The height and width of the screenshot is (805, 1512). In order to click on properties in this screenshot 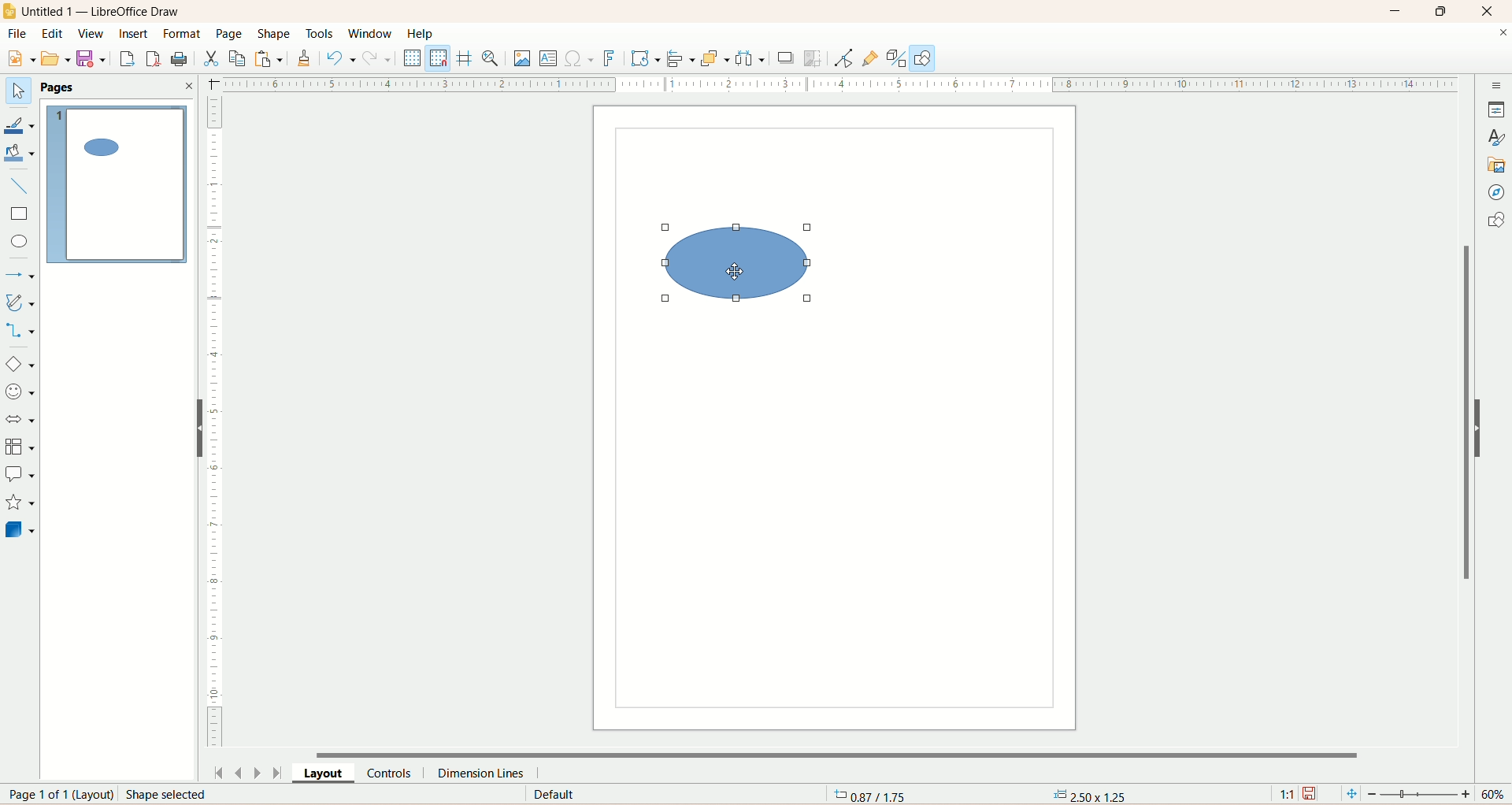, I will do `click(1496, 109)`.